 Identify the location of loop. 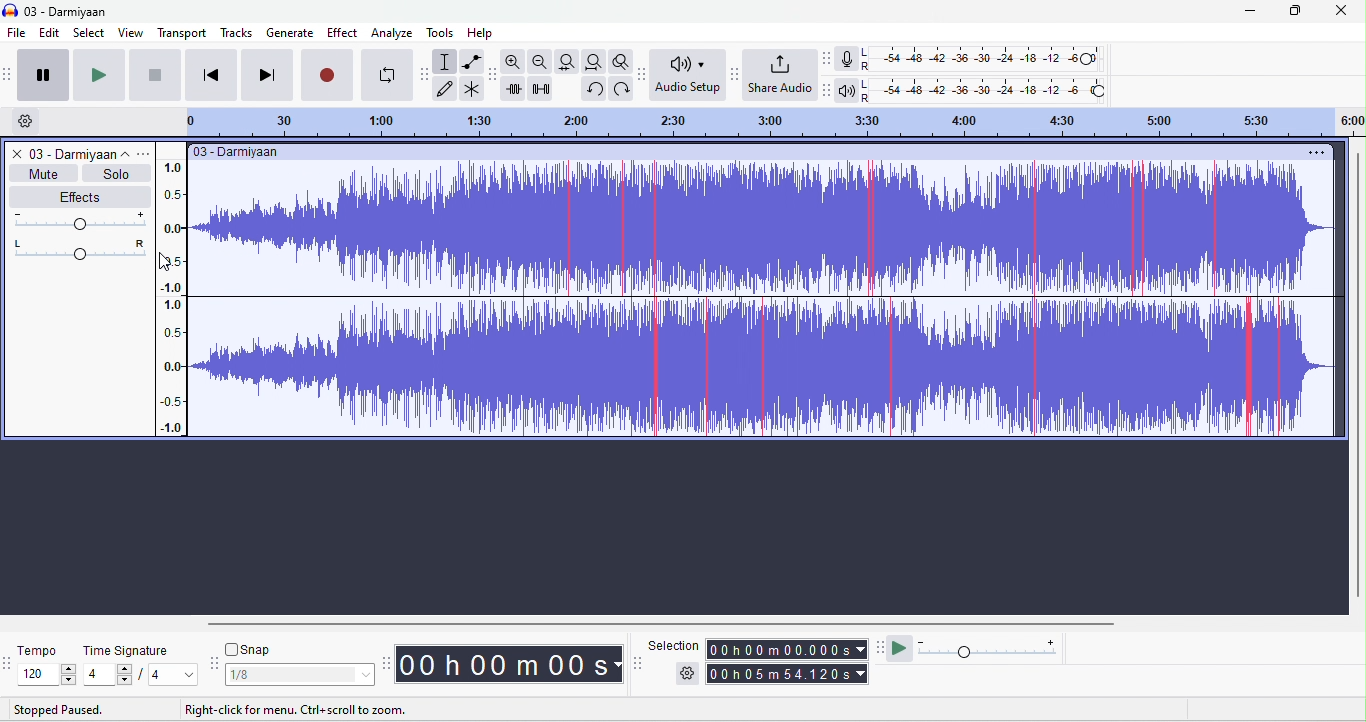
(390, 75).